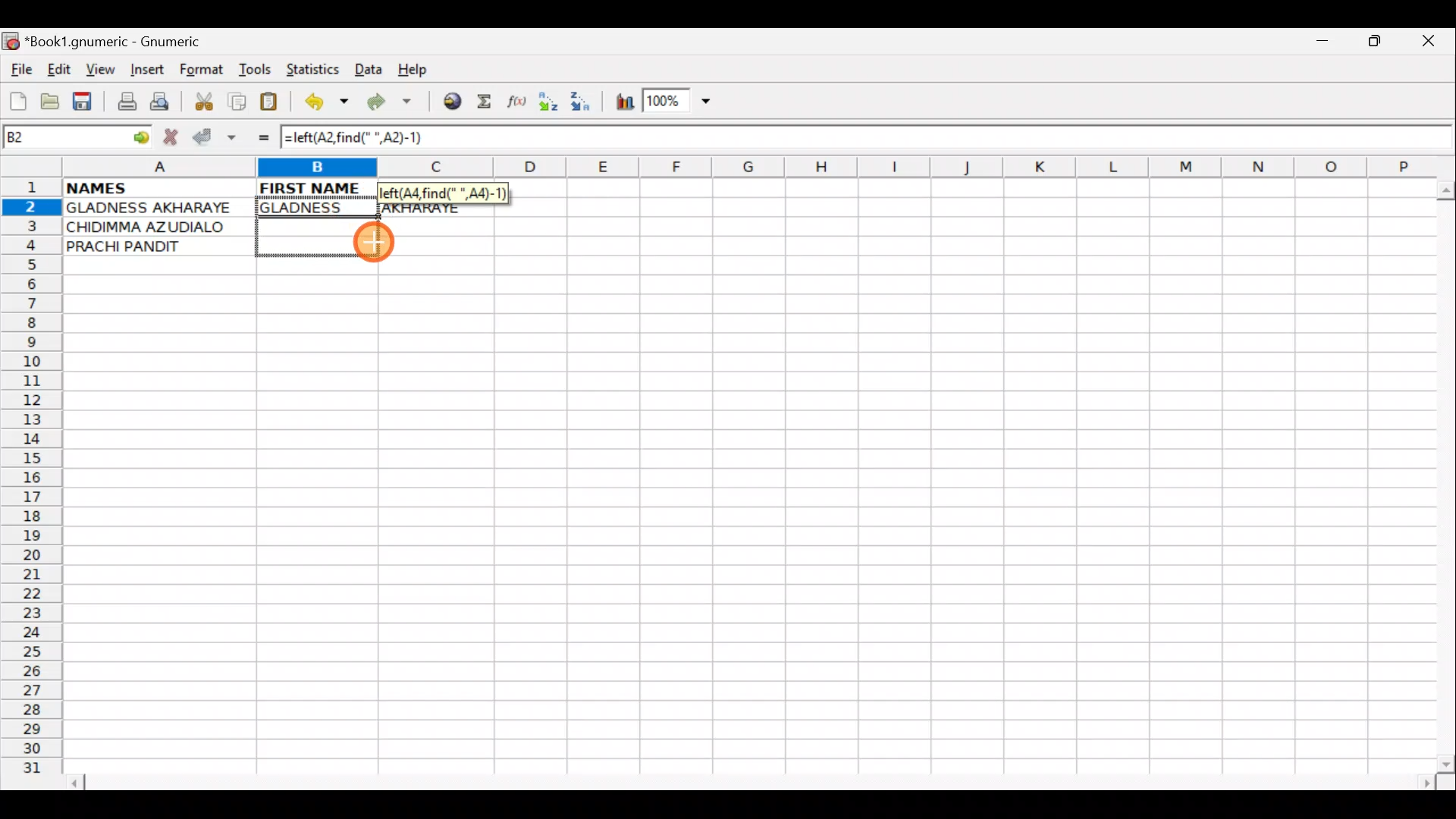  What do you see at coordinates (238, 101) in the screenshot?
I see `Copy selection` at bounding box center [238, 101].